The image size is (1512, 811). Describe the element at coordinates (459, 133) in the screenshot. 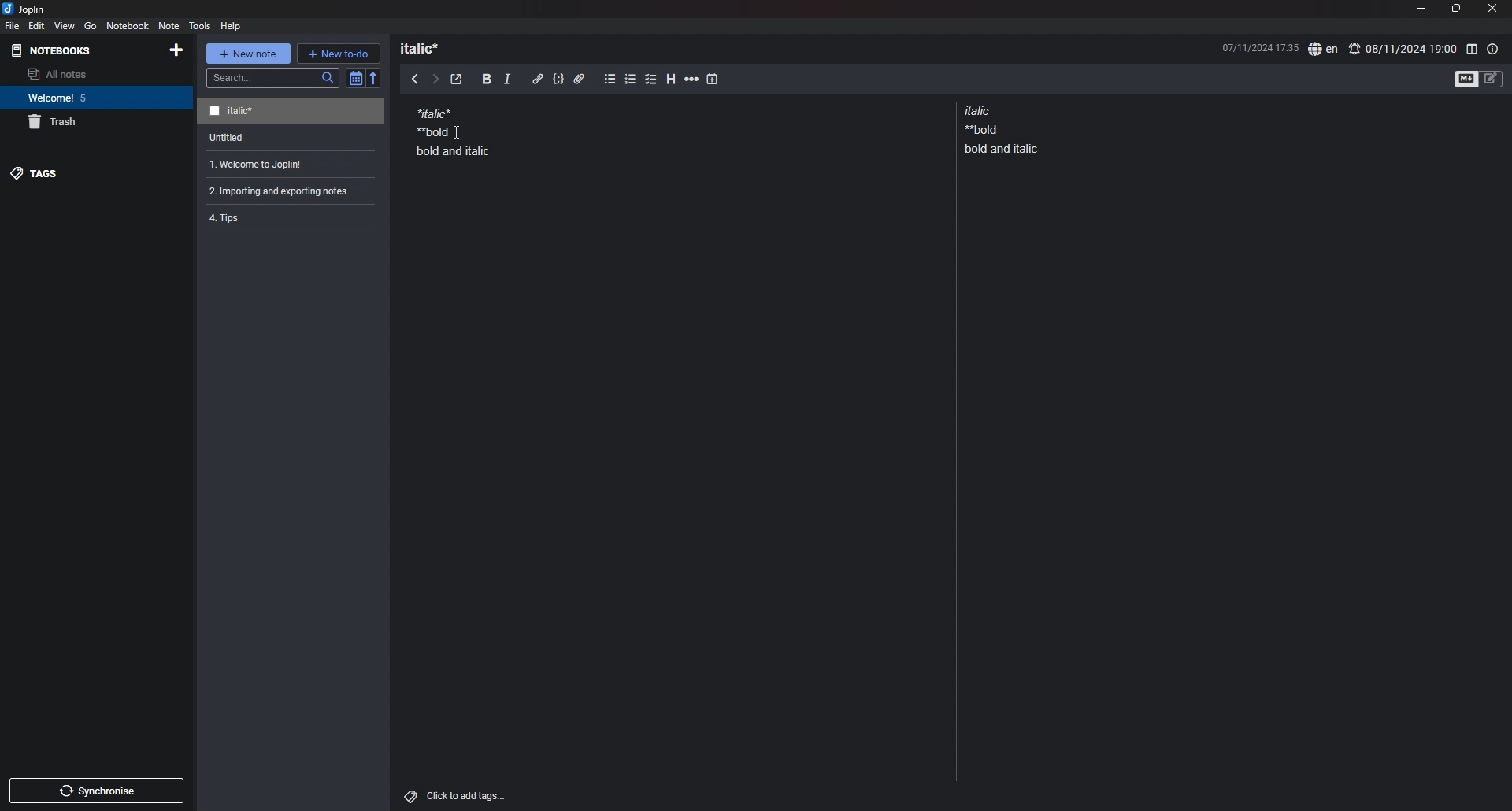

I see `Cursor` at that location.